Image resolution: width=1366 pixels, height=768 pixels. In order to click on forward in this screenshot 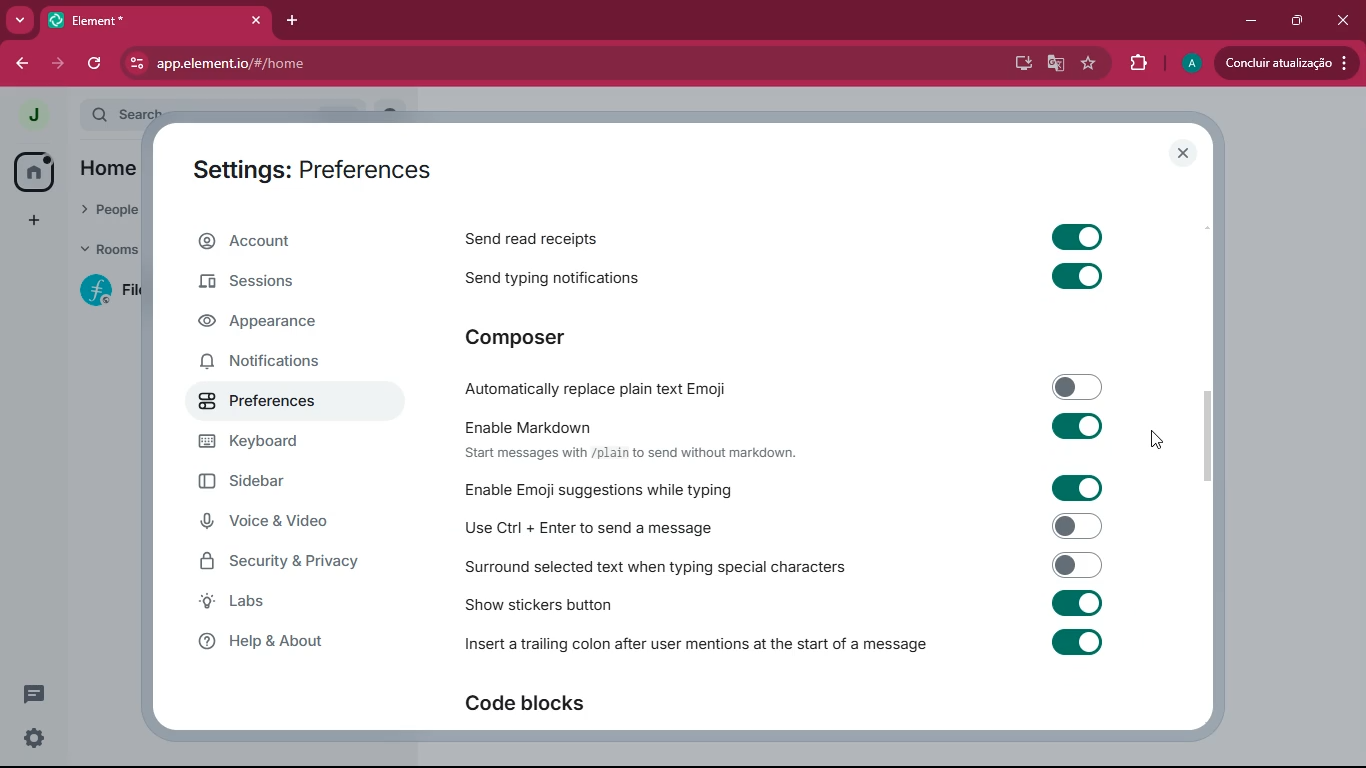, I will do `click(60, 61)`.